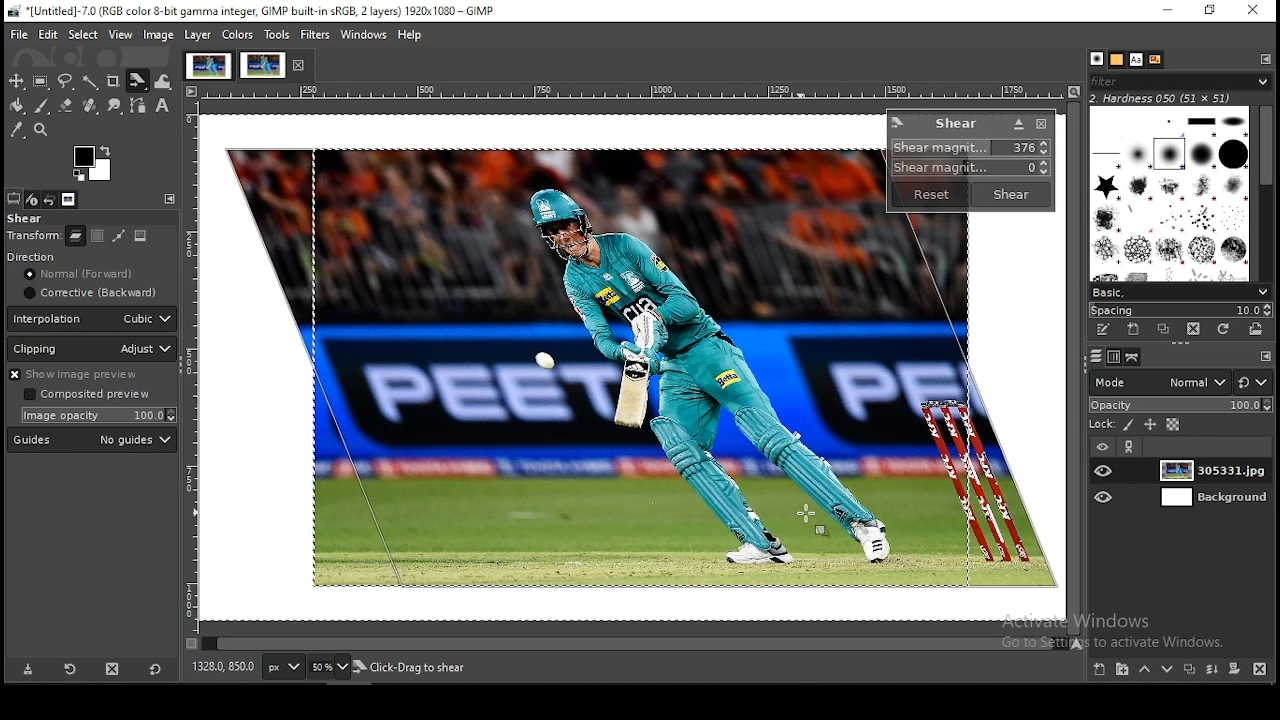 This screenshot has height=720, width=1280. Describe the element at coordinates (21, 34) in the screenshot. I see `file` at that location.